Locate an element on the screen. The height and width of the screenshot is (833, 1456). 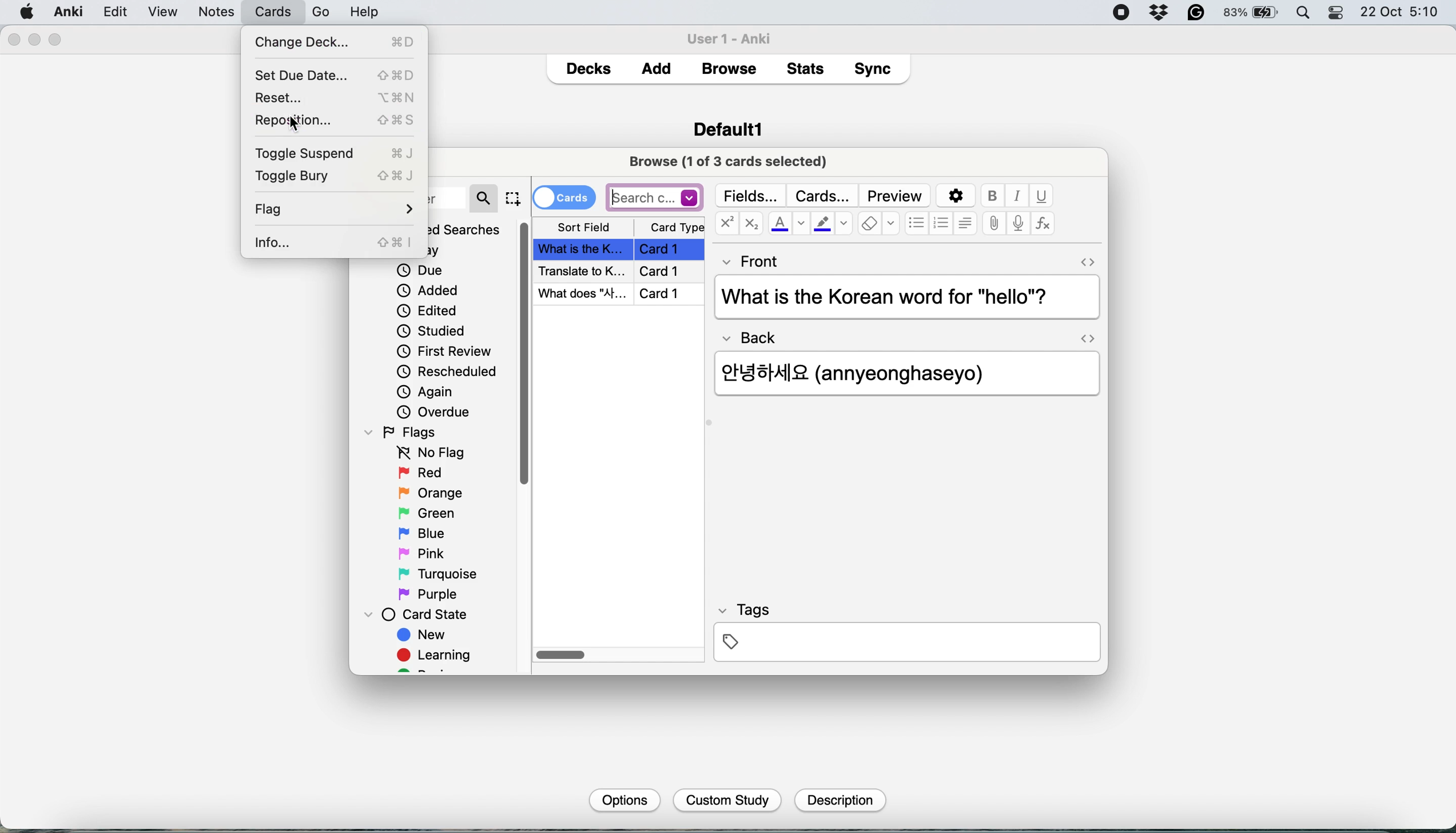
attachment is located at coordinates (994, 224).